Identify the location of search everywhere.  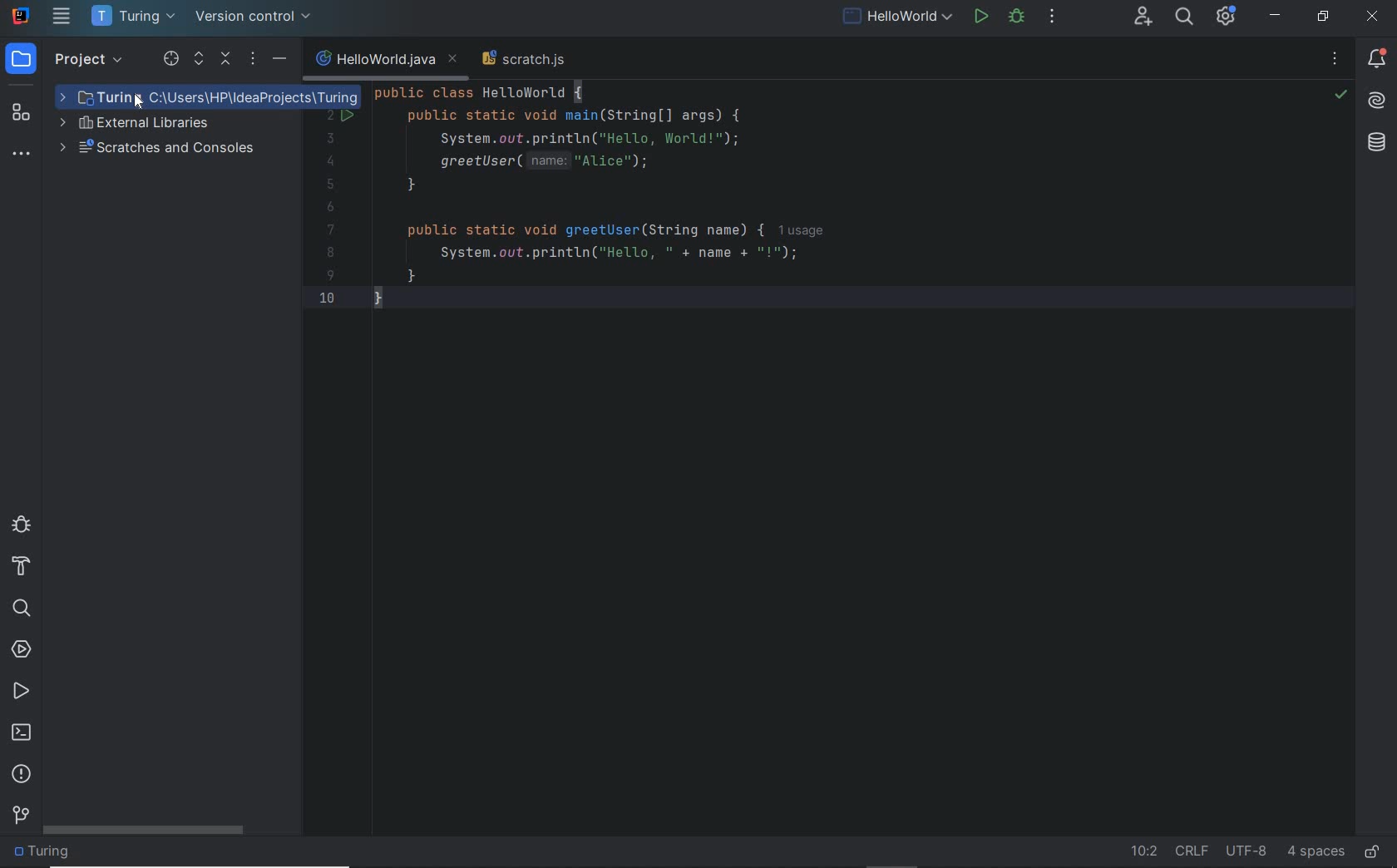
(1183, 18).